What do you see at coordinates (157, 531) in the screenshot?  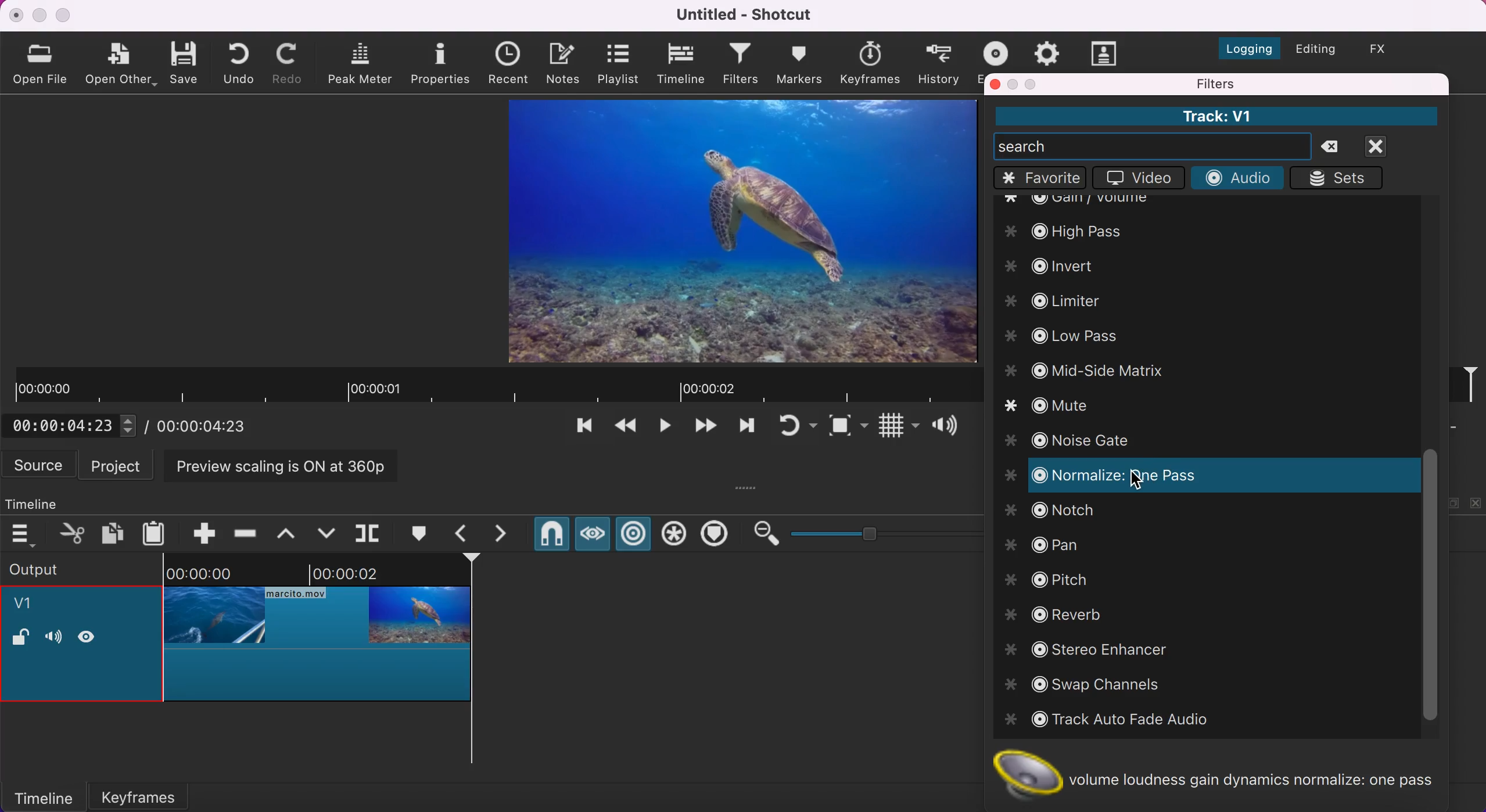 I see `paste` at bounding box center [157, 531].